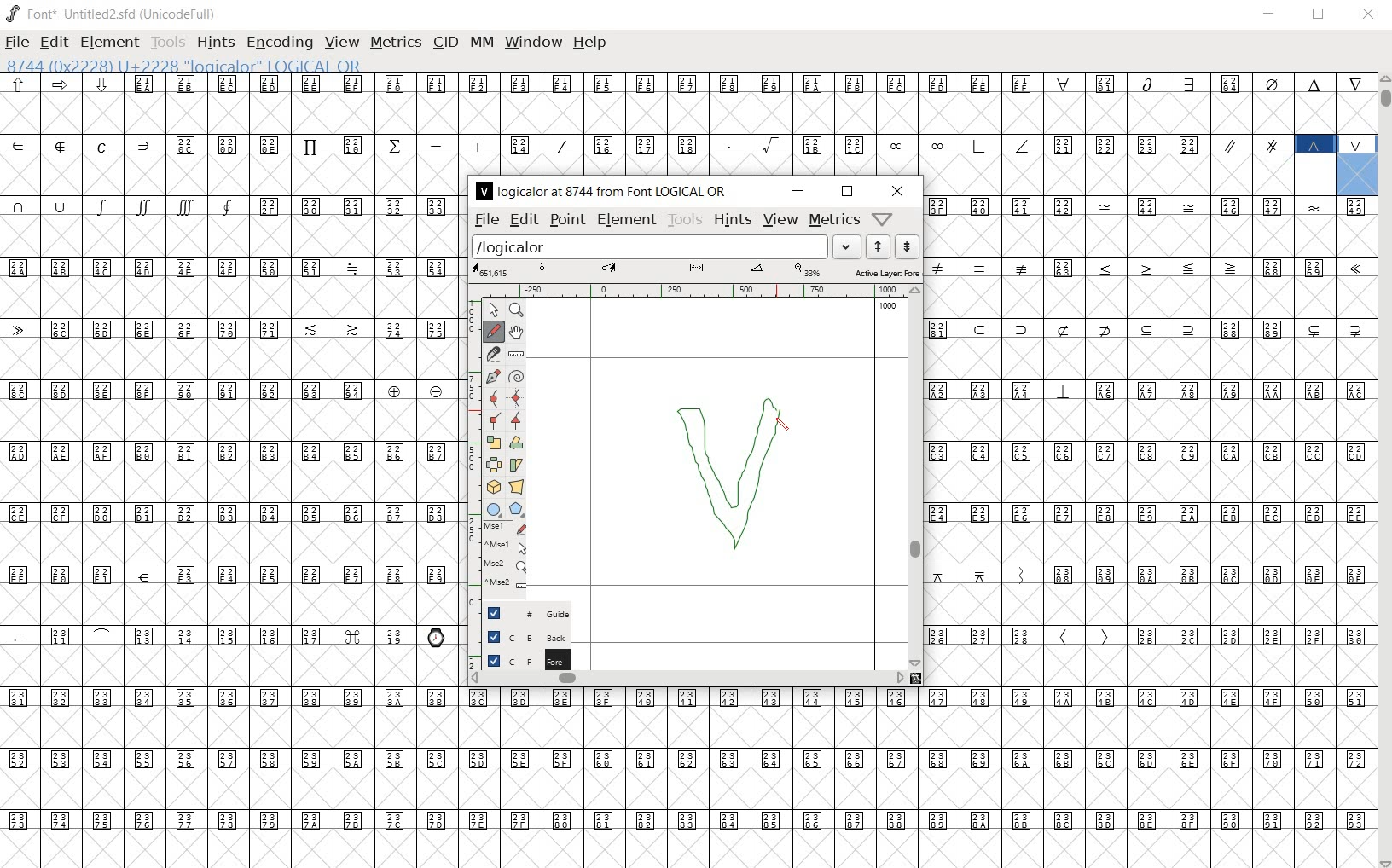 The width and height of the screenshot is (1392, 868). Describe the element at coordinates (190, 65) in the screenshot. I see `8744 (0x2228) U+2228 "logicalor" LOGICAL OR` at that location.